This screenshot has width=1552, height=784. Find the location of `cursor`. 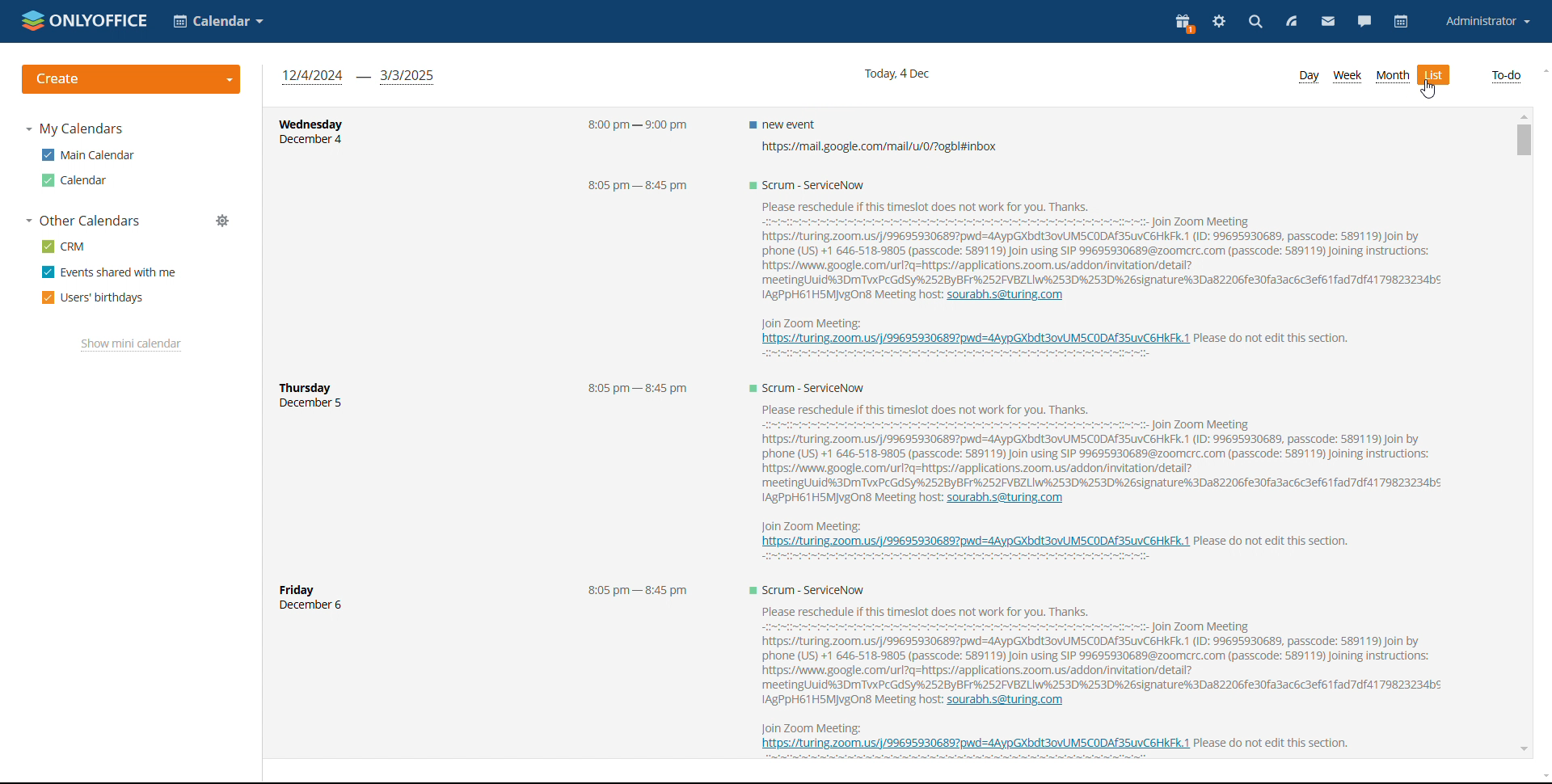

cursor is located at coordinates (1429, 89).